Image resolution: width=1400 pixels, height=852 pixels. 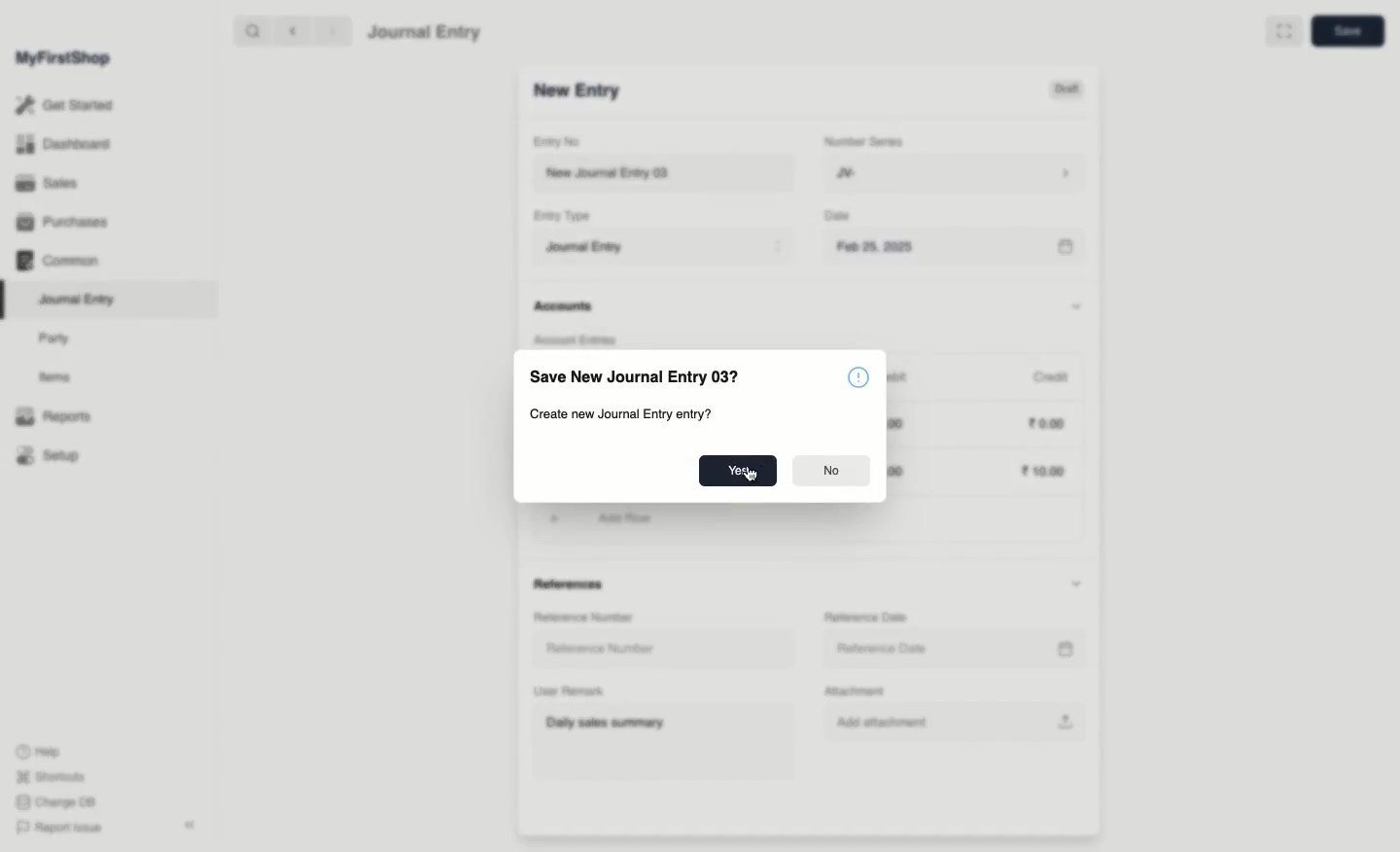 I want to click on Dashboard, so click(x=62, y=143).